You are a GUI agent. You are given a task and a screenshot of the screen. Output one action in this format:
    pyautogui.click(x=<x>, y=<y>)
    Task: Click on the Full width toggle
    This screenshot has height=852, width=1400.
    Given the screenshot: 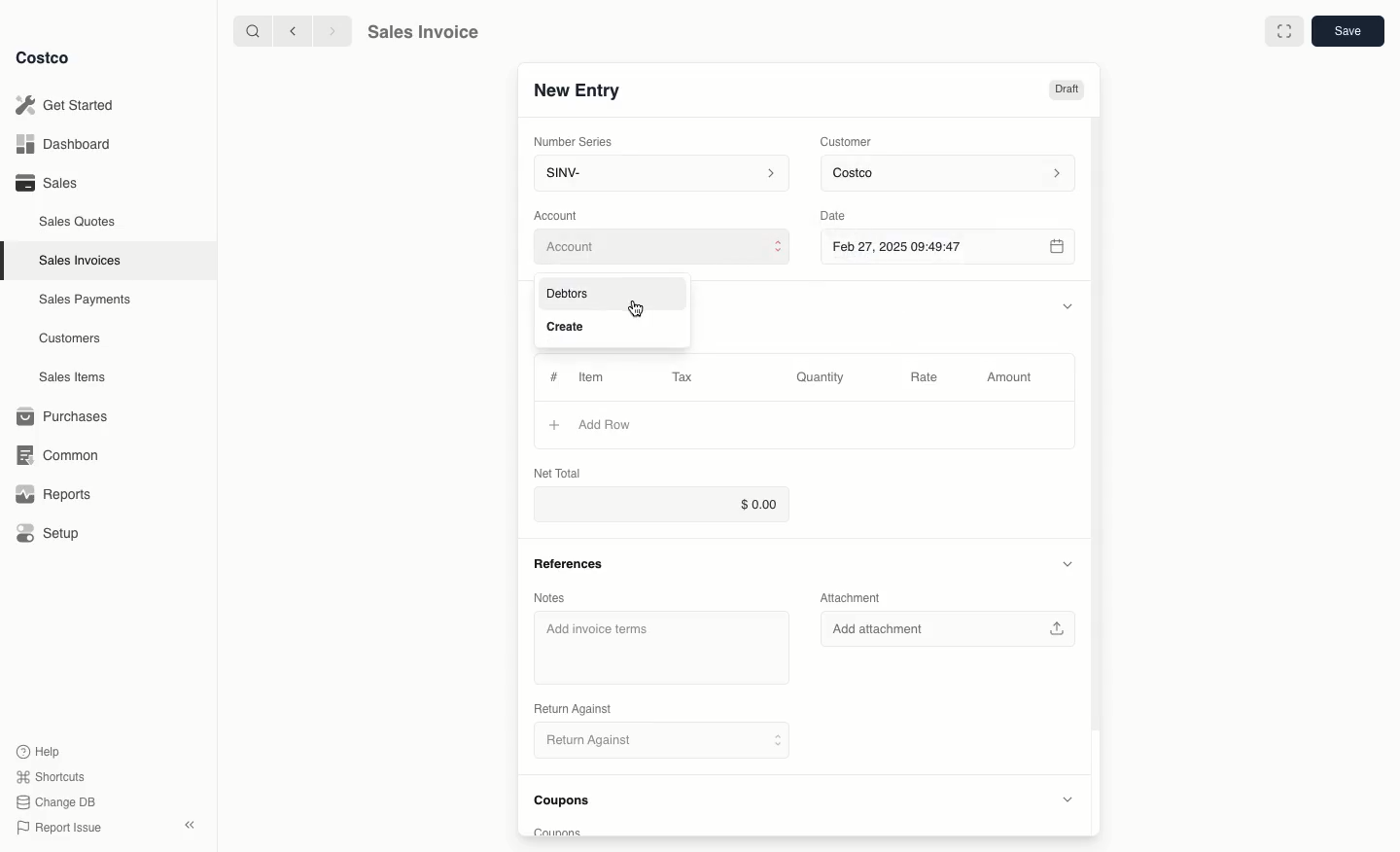 What is the action you would take?
    pyautogui.click(x=1283, y=31)
    